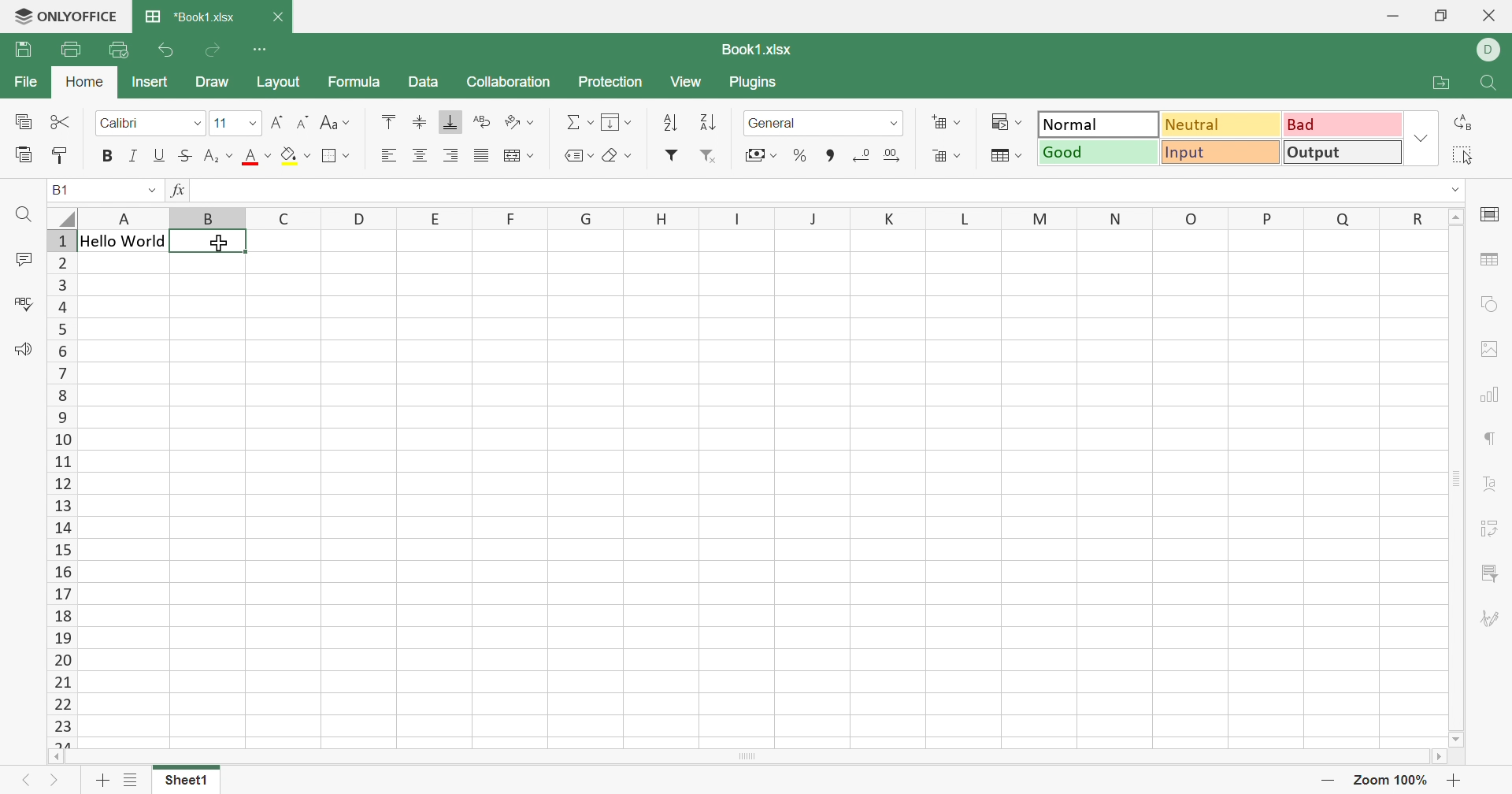 This screenshot has height=794, width=1512. Describe the element at coordinates (61, 189) in the screenshot. I see `B1` at that location.